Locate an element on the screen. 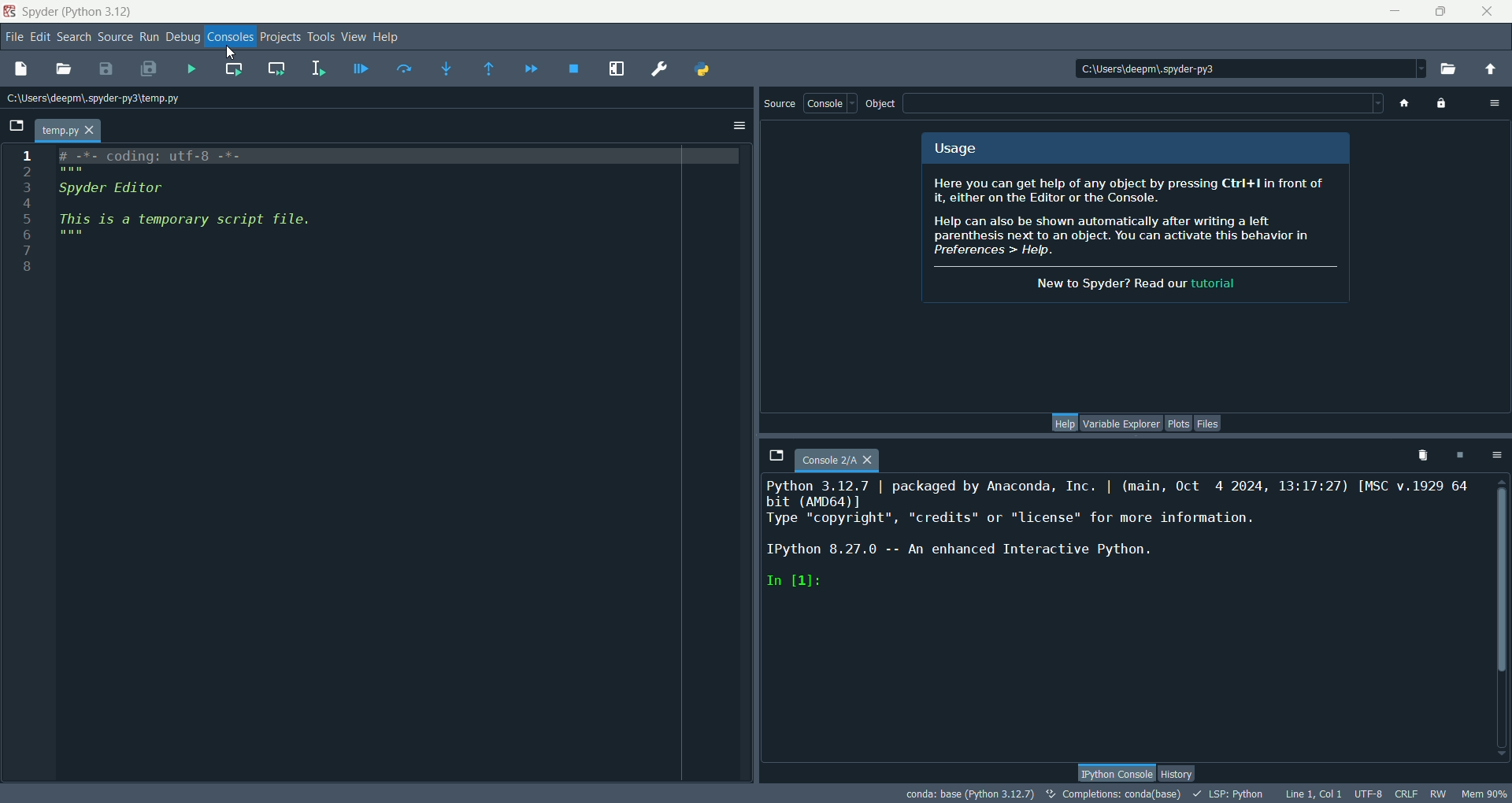 This screenshot has height=803, width=1512. console text is located at coordinates (1117, 542).